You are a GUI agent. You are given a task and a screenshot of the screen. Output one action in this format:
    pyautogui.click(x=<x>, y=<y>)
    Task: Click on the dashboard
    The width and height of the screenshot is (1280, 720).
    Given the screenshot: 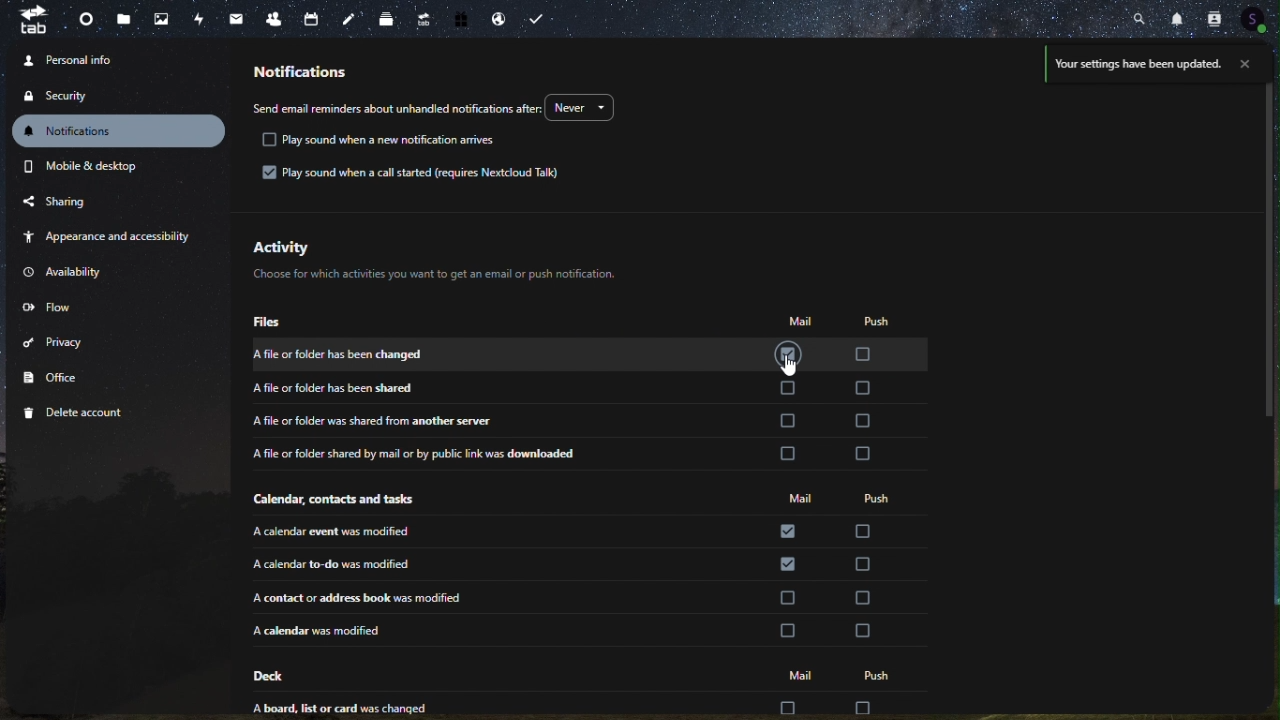 What is the action you would take?
    pyautogui.click(x=85, y=22)
    